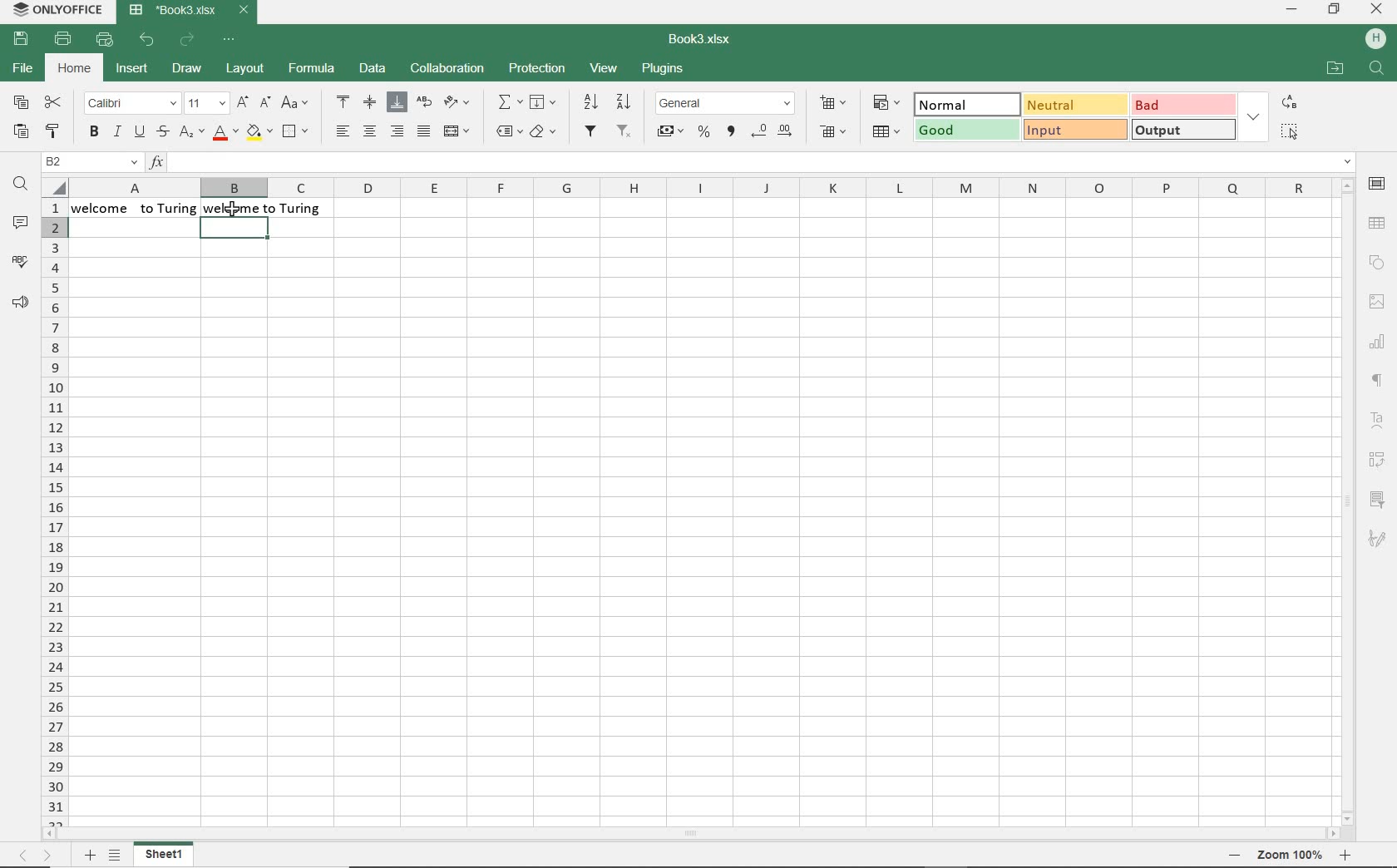 This screenshot has width=1397, height=868. I want to click on fill, so click(542, 103).